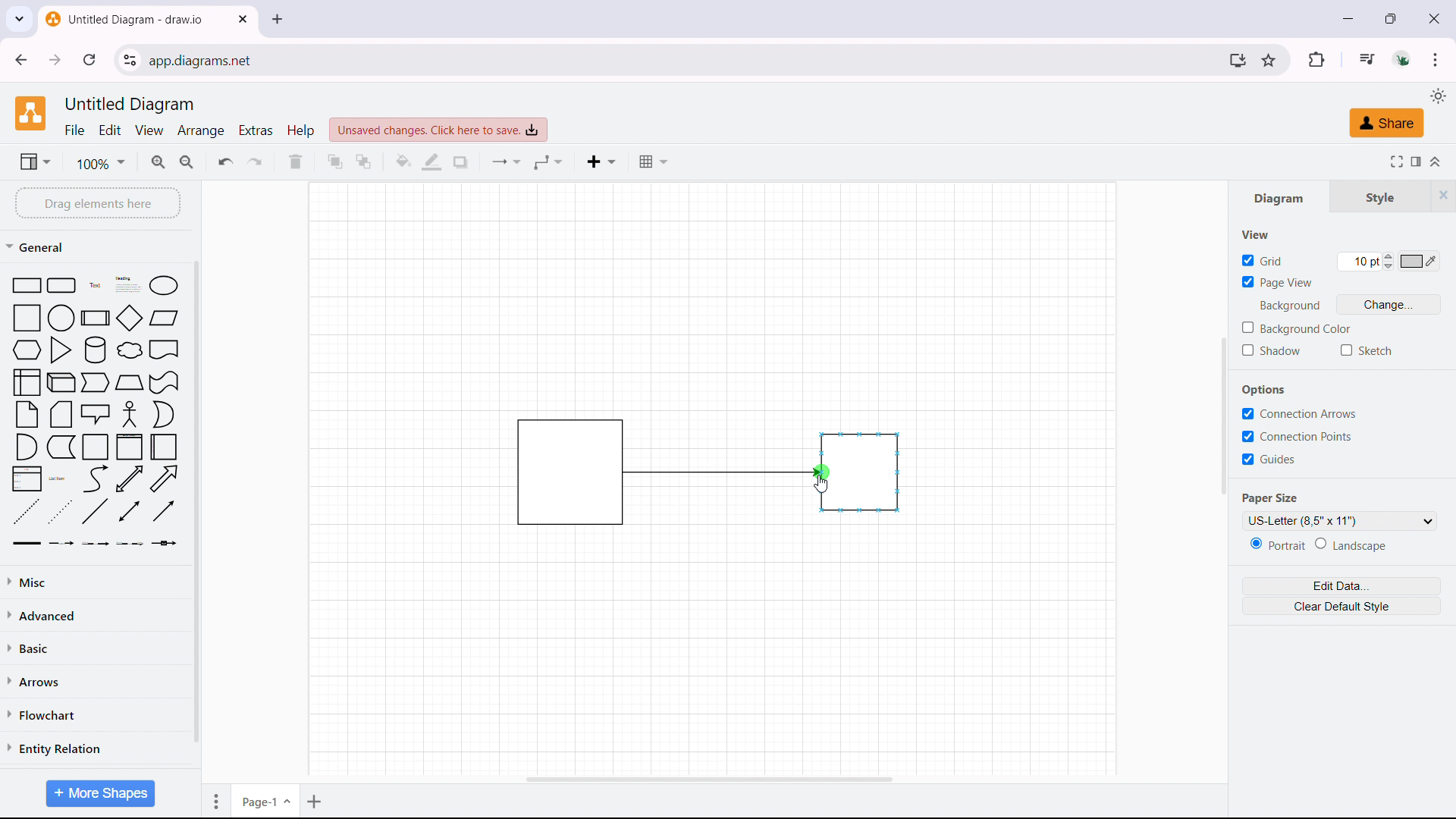 The width and height of the screenshot is (1456, 819). I want to click on style, so click(1380, 198).